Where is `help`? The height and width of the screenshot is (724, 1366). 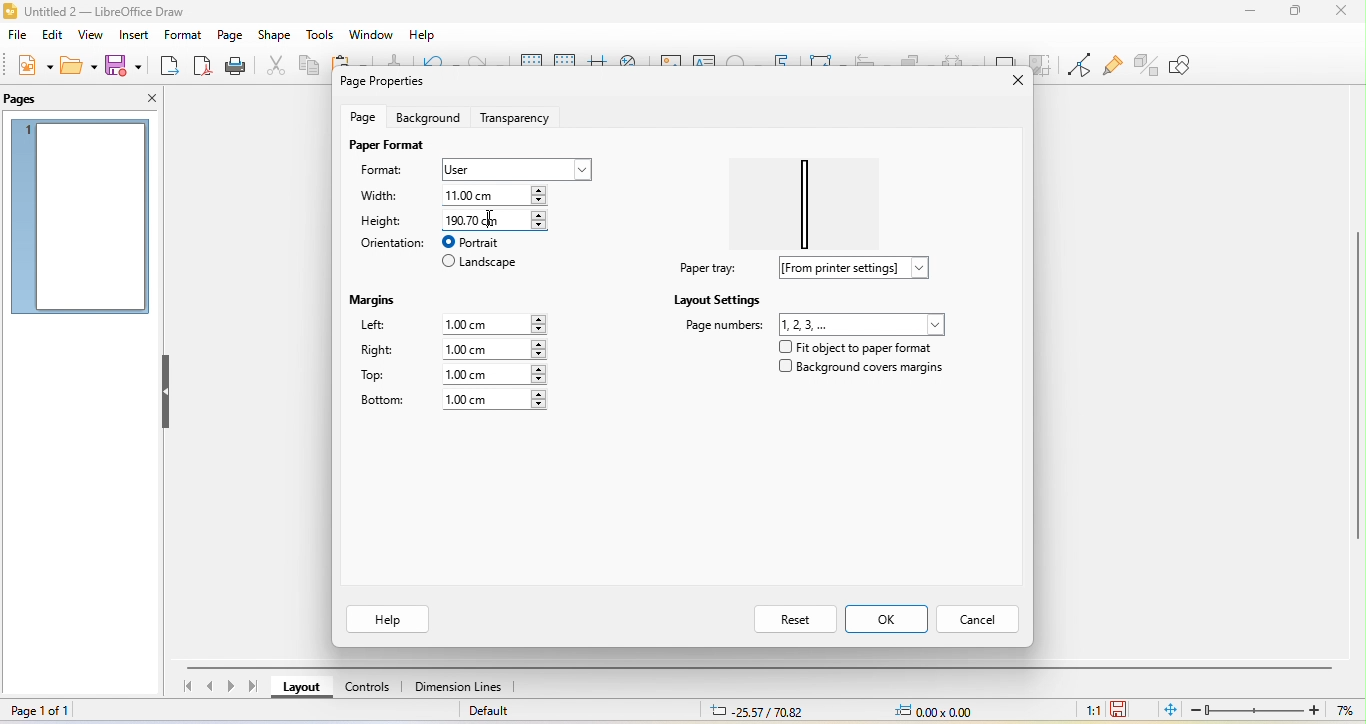
help is located at coordinates (420, 36).